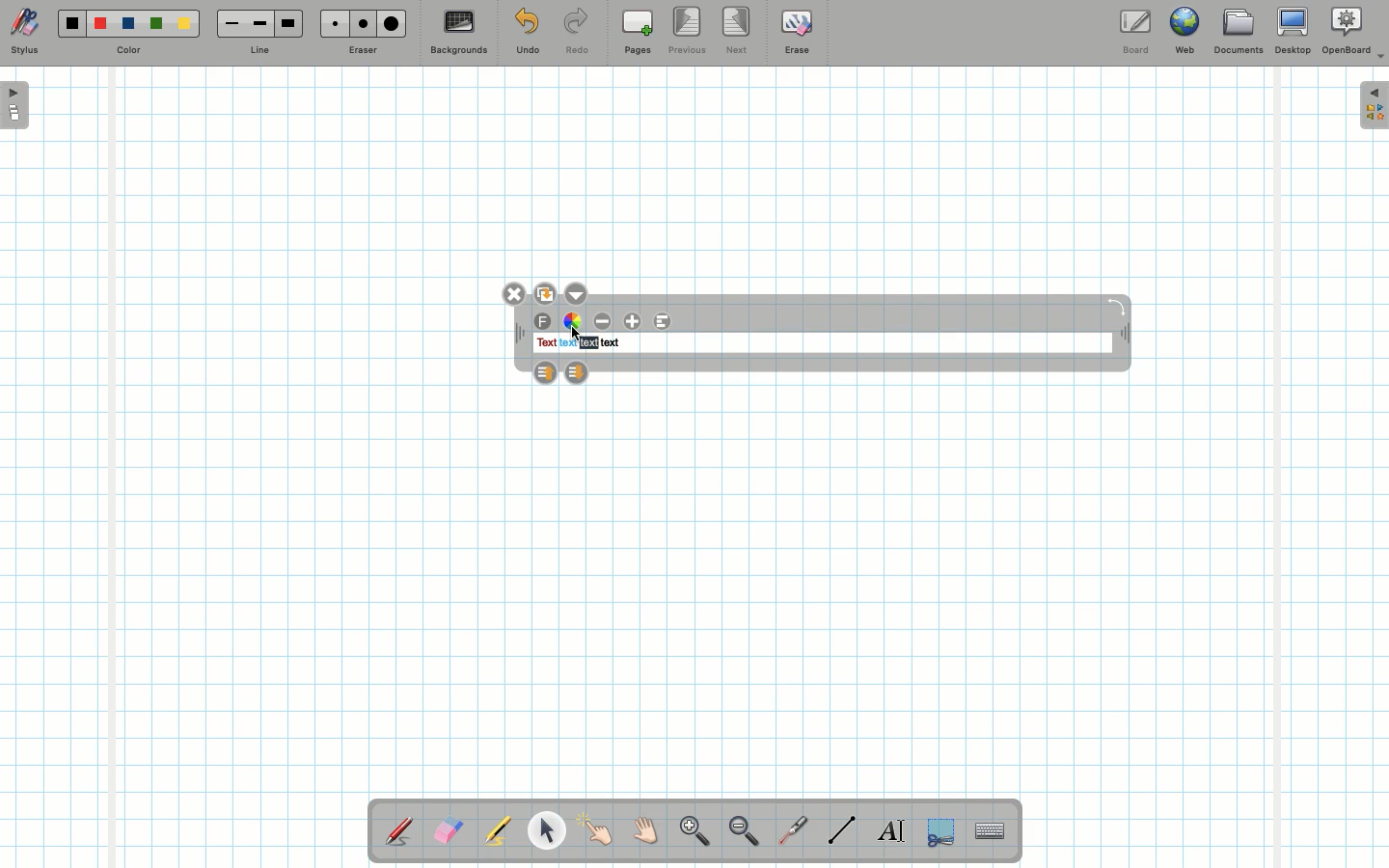 The width and height of the screenshot is (1389, 868). I want to click on Pages, so click(638, 34).